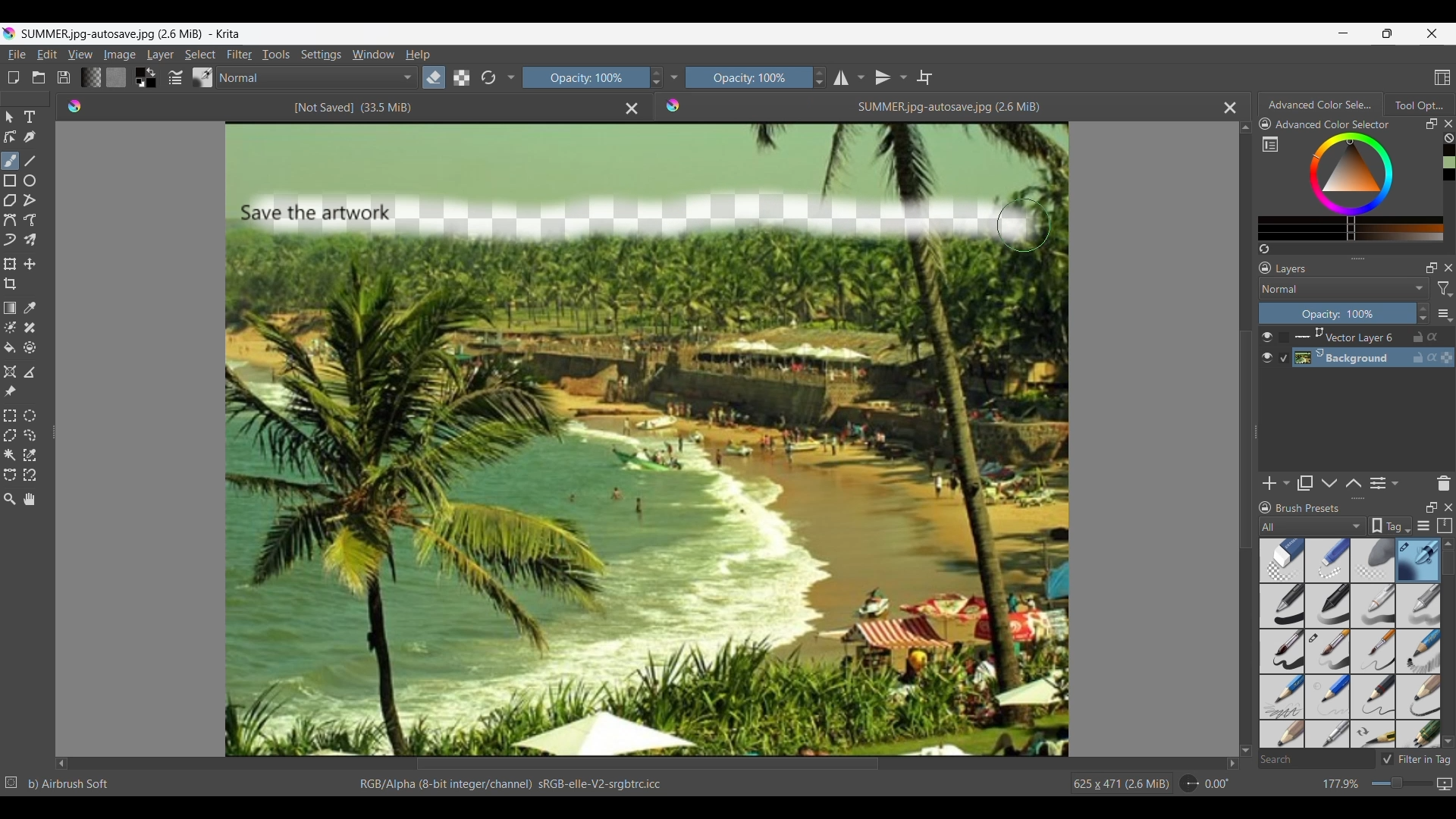 This screenshot has width=1456, height=819. Describe the element at coordinates (1294, 268) in the screenshot. I see `Layers` at that location.